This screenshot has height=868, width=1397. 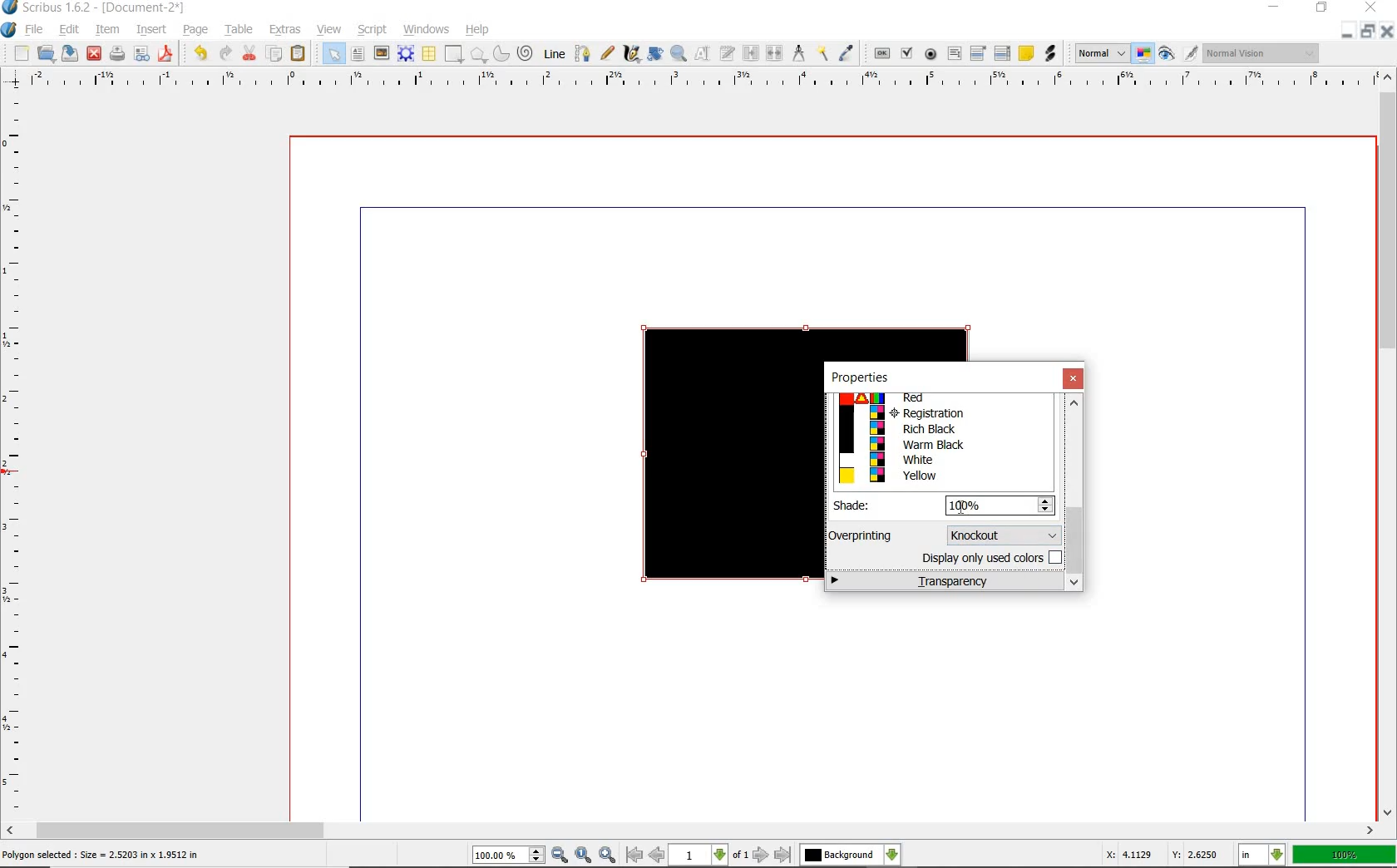 I want to click on line, so click(x=555, y=53).